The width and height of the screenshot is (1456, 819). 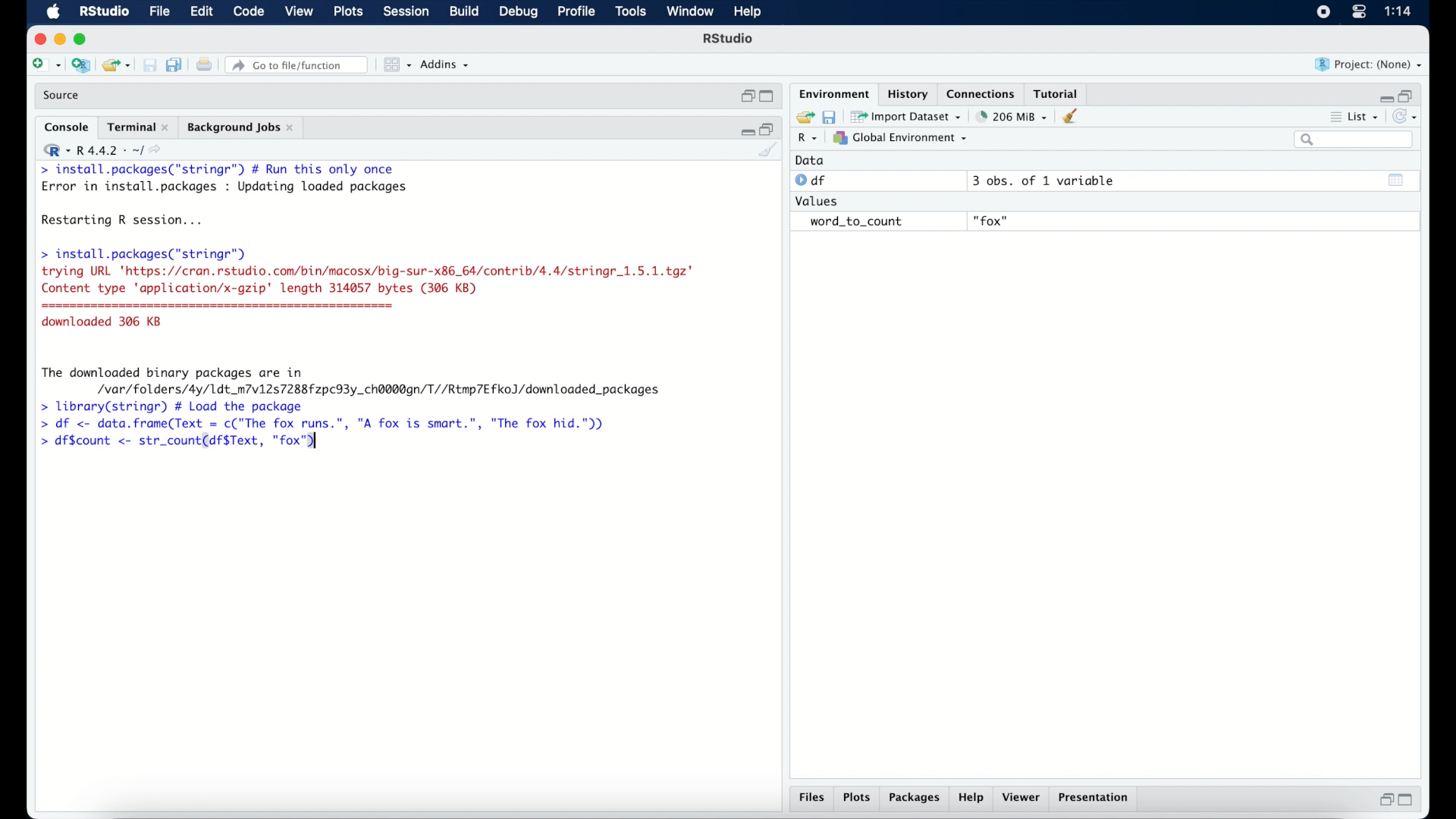 I want to click on maximize, so click(x=83, y=39).